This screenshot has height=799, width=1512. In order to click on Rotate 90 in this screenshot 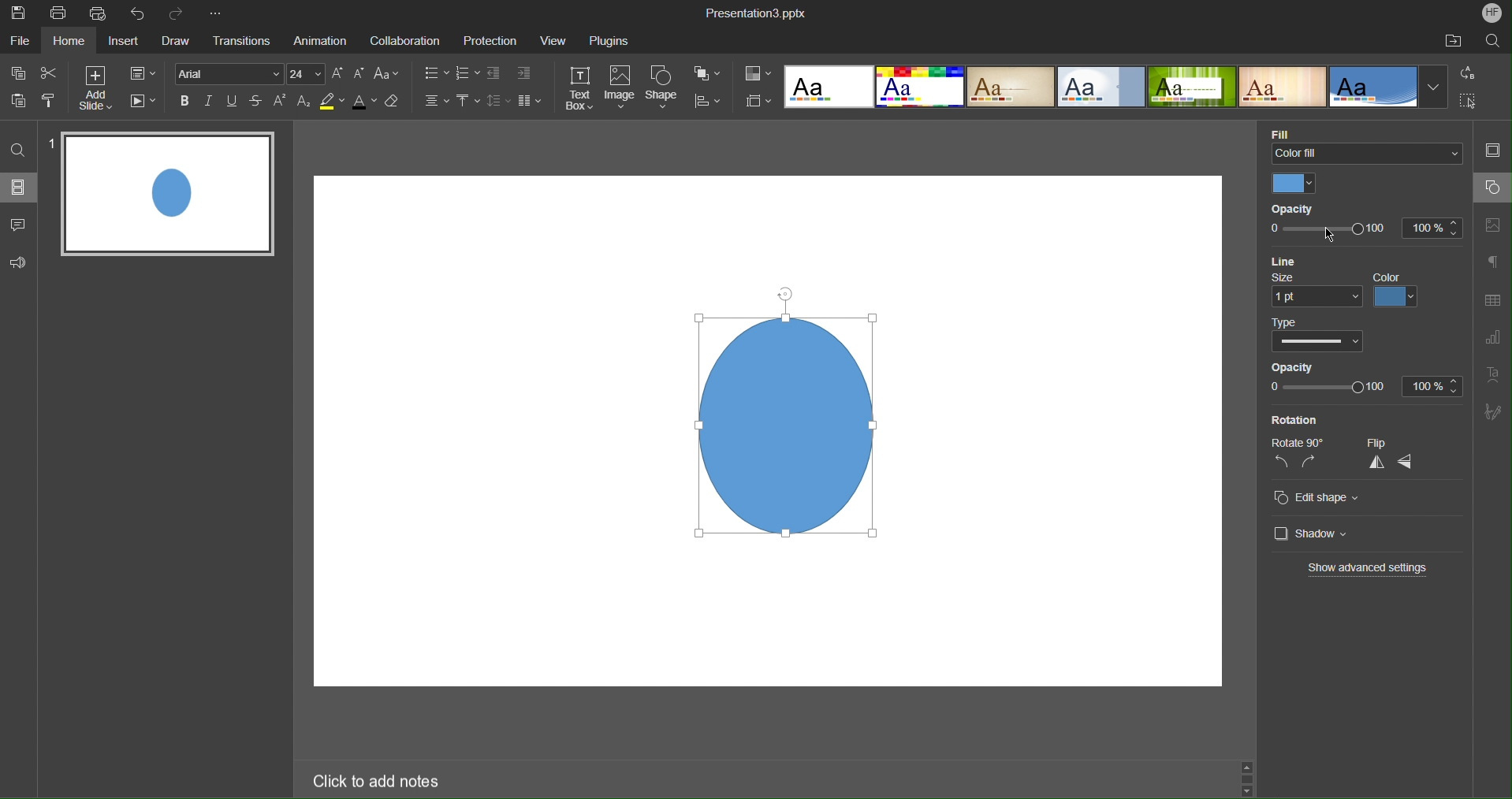, I will do `click(1300, 443)`.